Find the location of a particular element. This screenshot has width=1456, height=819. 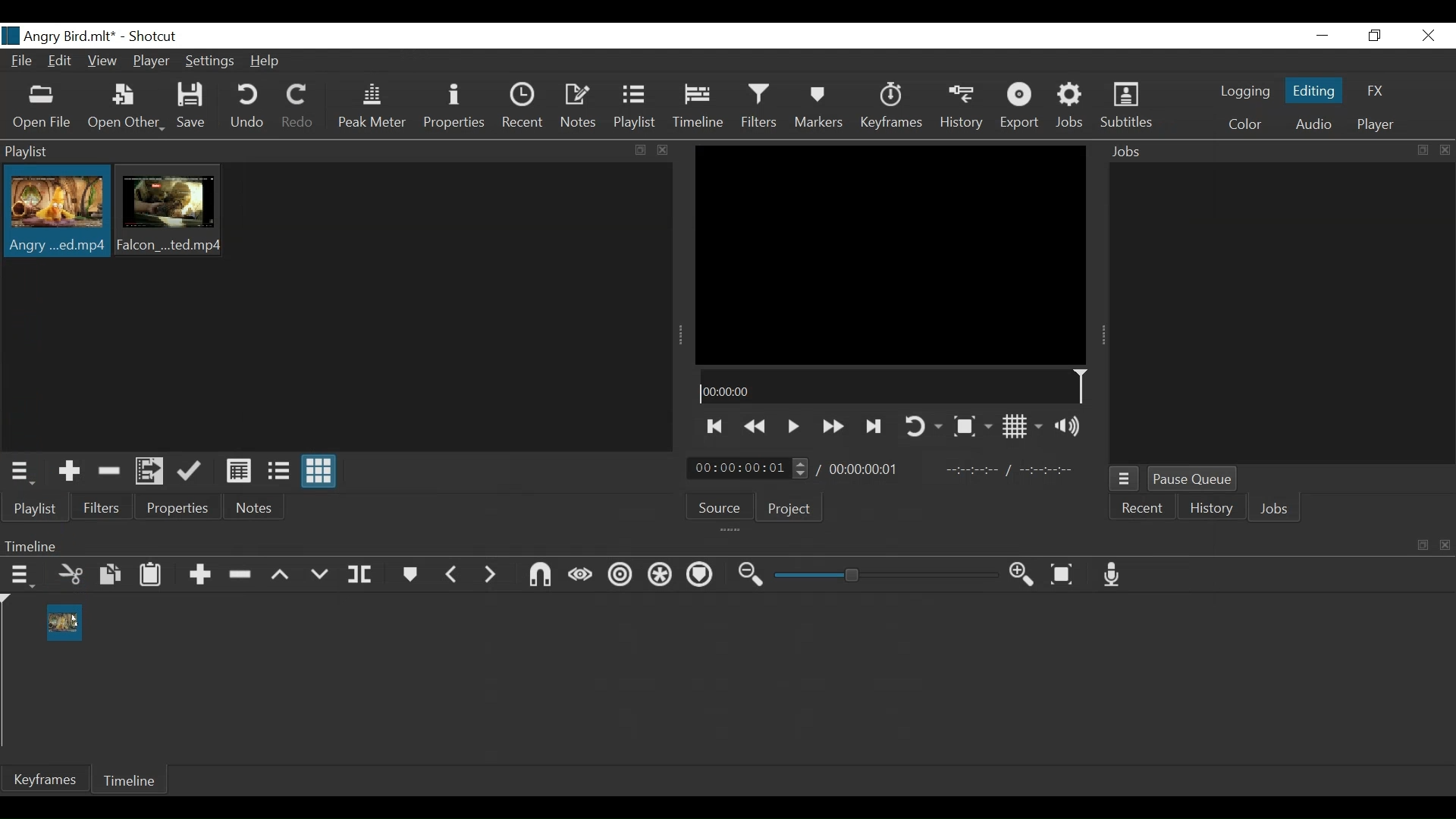

Markers is located at coordinates (818, 106).